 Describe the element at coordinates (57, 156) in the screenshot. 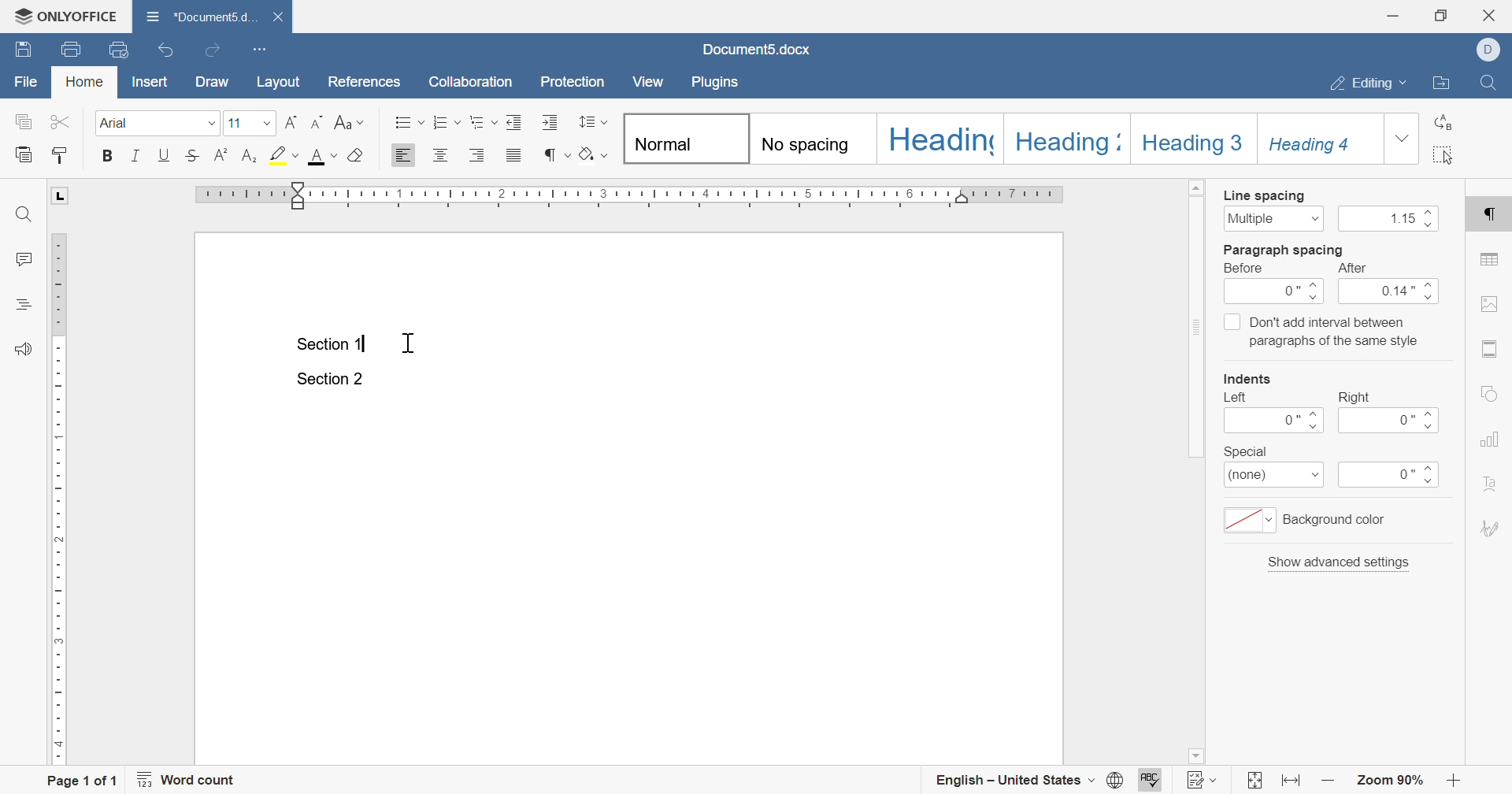

I see `copy style` at that location.